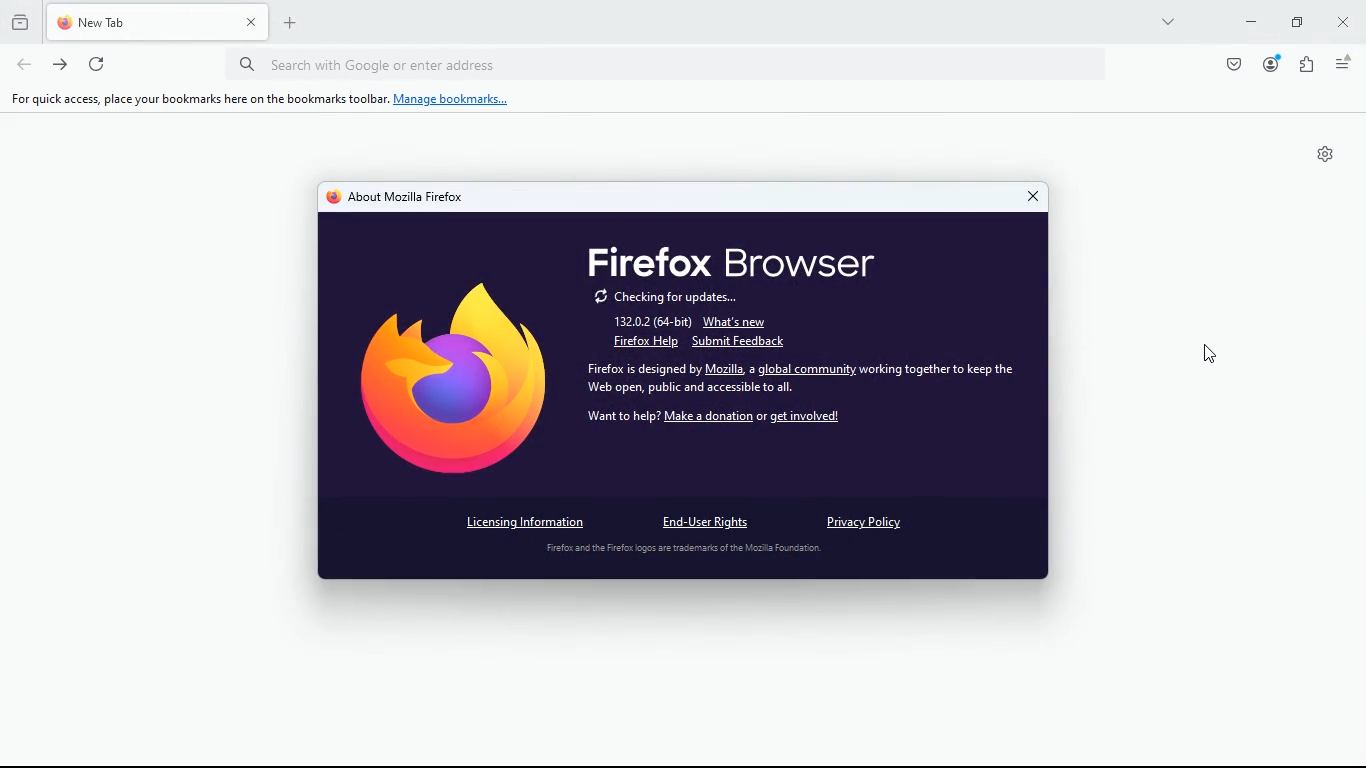  Describe the element at coordinates (298, 28) in the screenshot. I see `new tab` at that location.